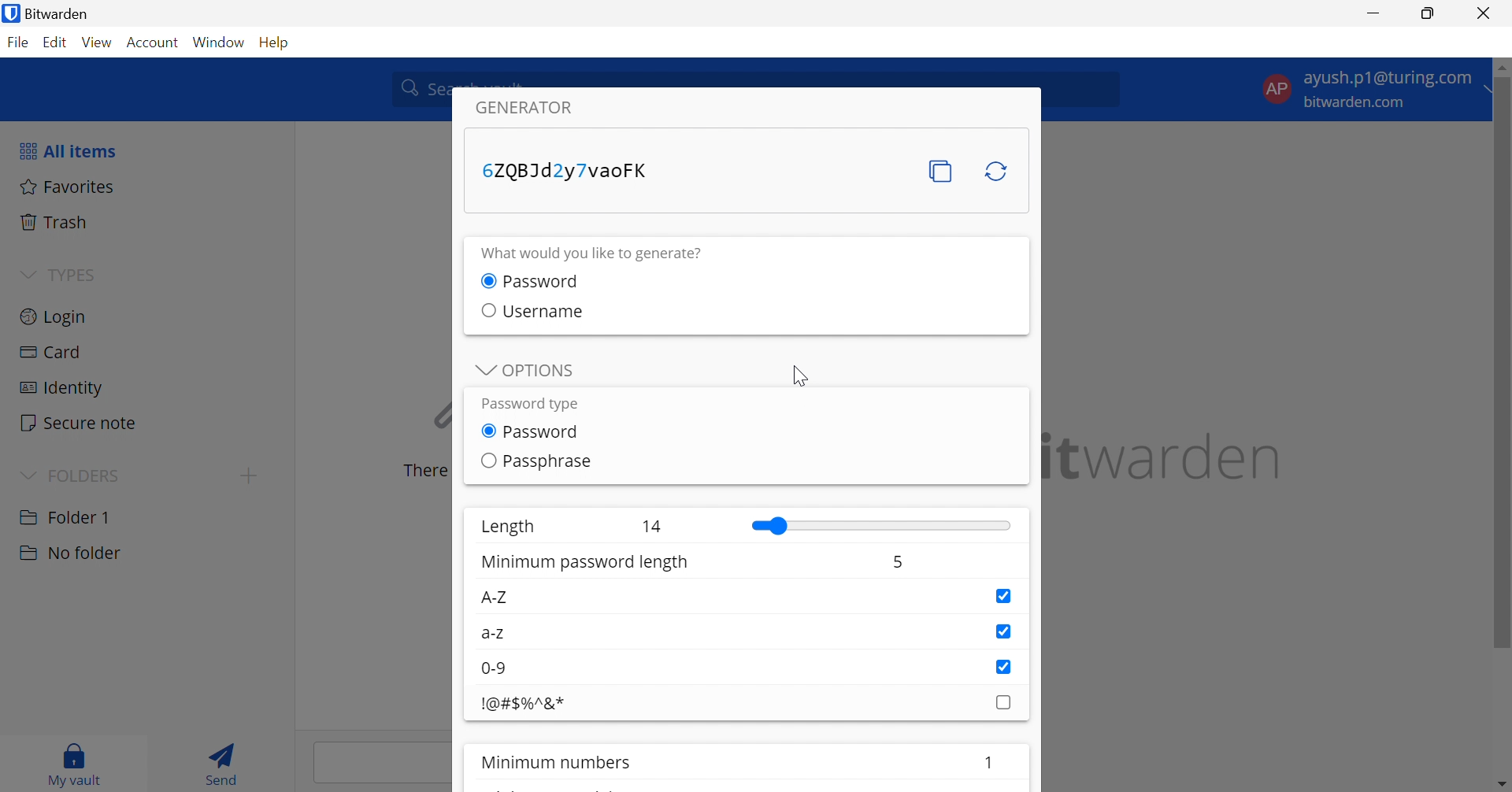 The width and height of the screenshot is (1512, 792). I want to click on Edit, so click(57, 43).